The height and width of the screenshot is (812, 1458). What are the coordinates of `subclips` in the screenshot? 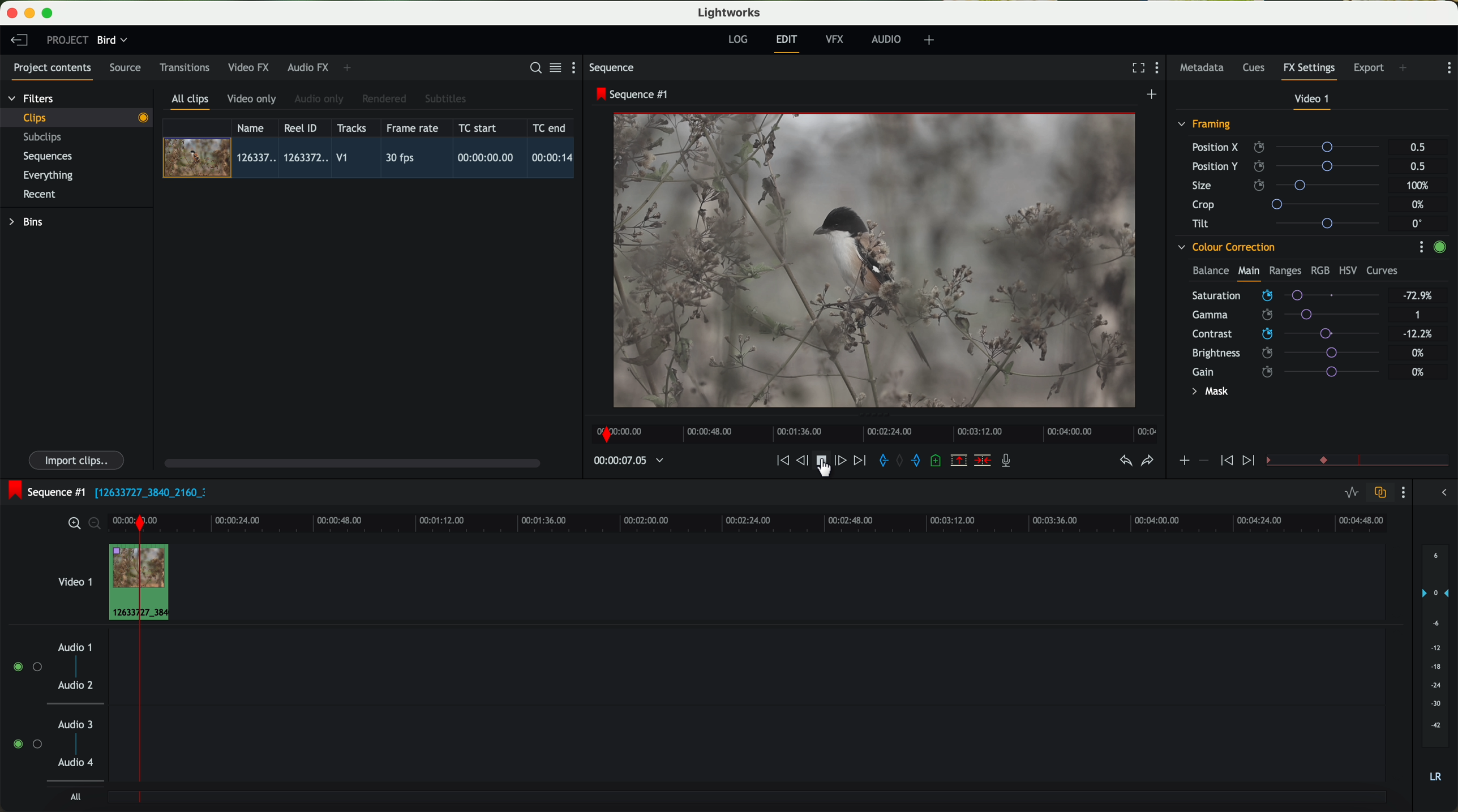 It's located at (45, 138).